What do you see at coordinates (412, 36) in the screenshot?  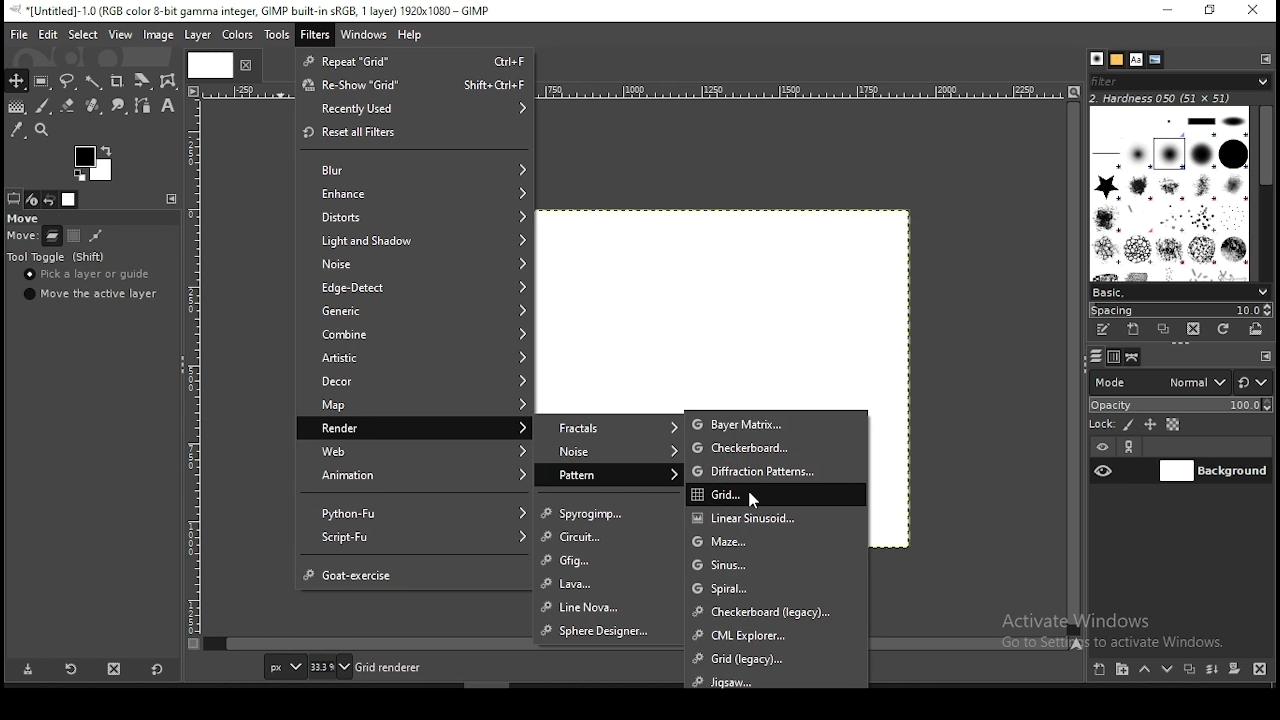 I see `help` at bounding box center [412, 36].